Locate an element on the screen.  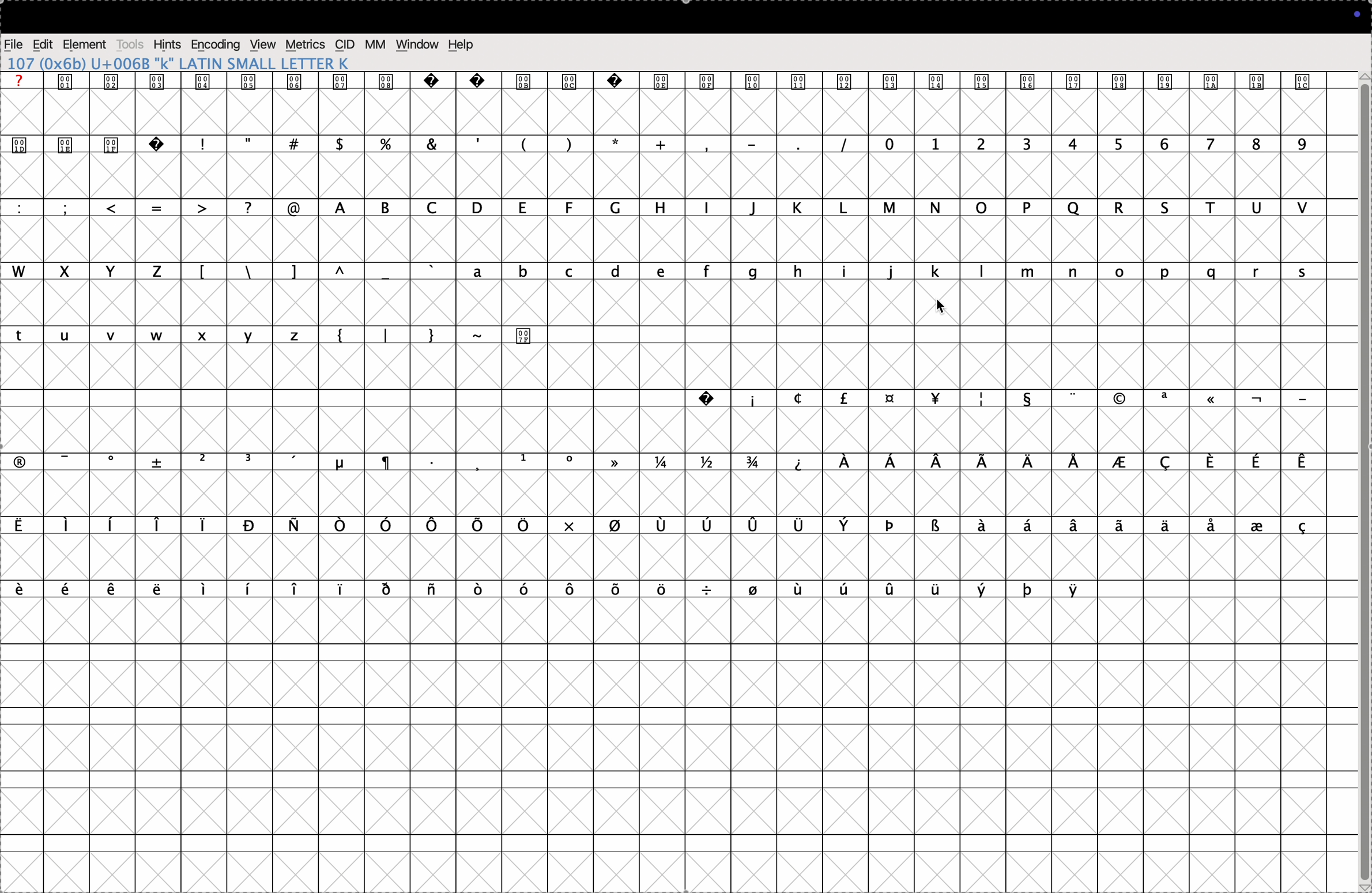
2 is located at coordinates (937, 145).